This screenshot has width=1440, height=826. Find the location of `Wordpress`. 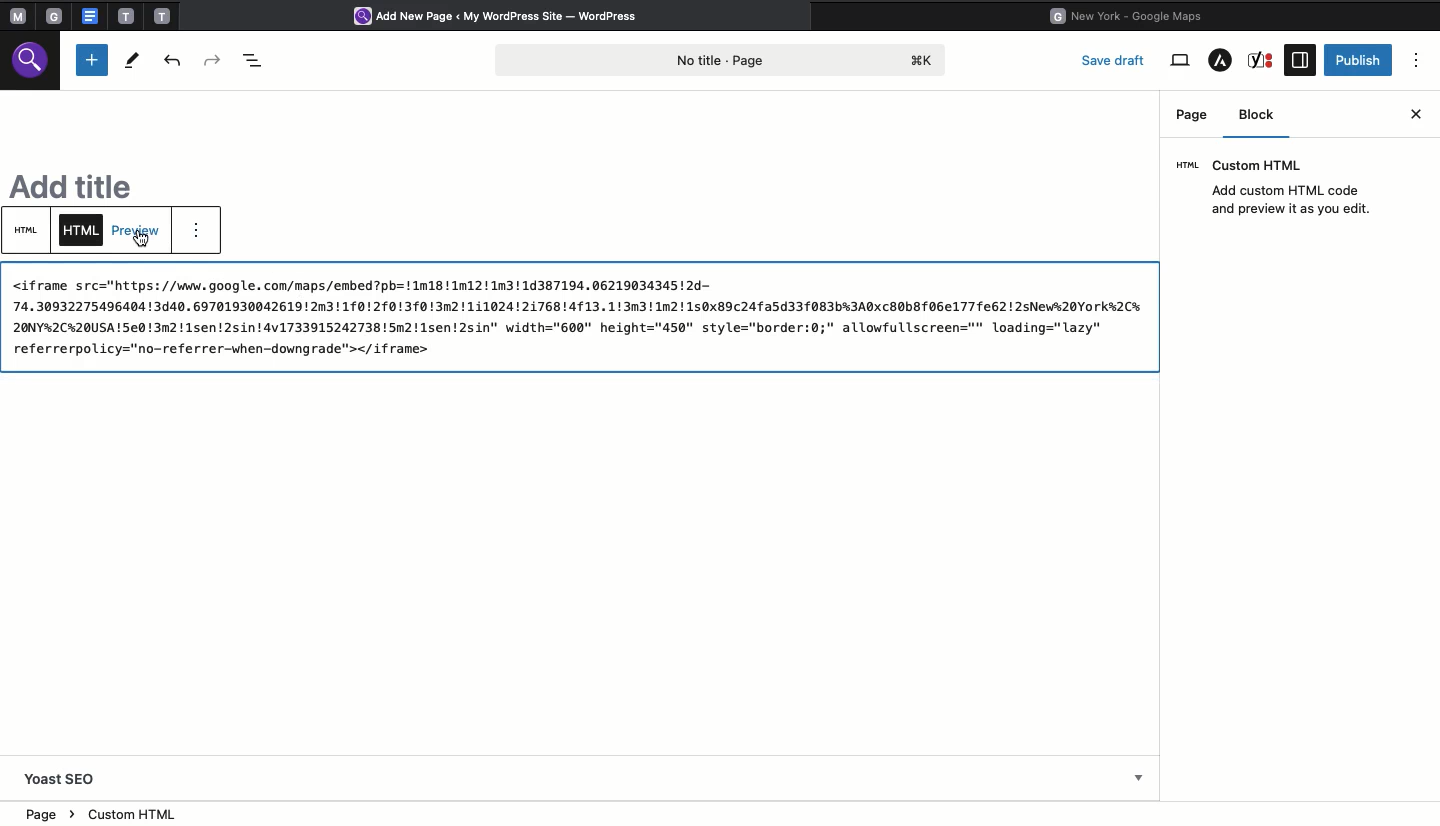

Wordpress is located at coordinates (504, 17).